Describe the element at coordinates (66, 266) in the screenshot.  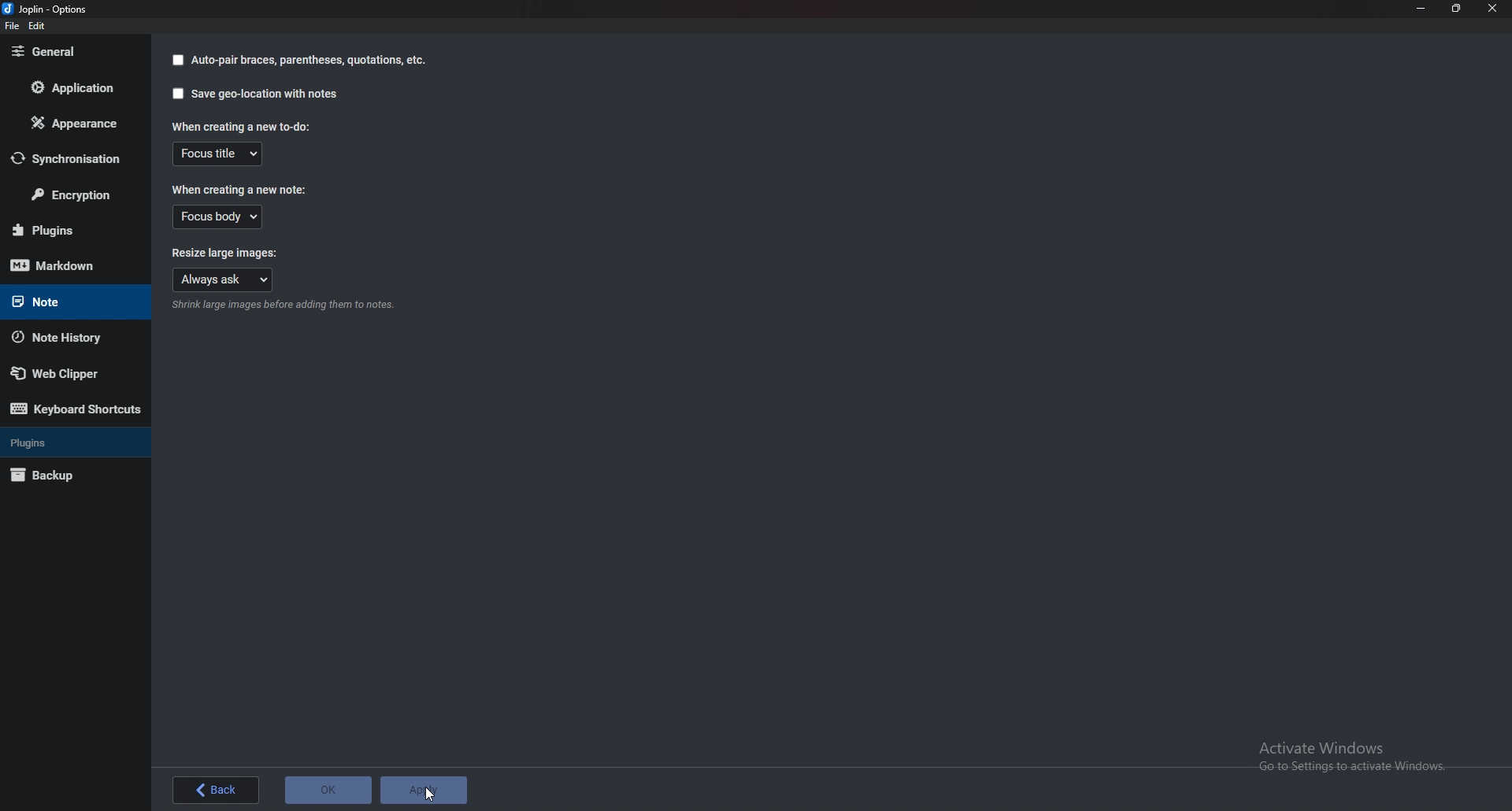
I see `Mark down` at that location.